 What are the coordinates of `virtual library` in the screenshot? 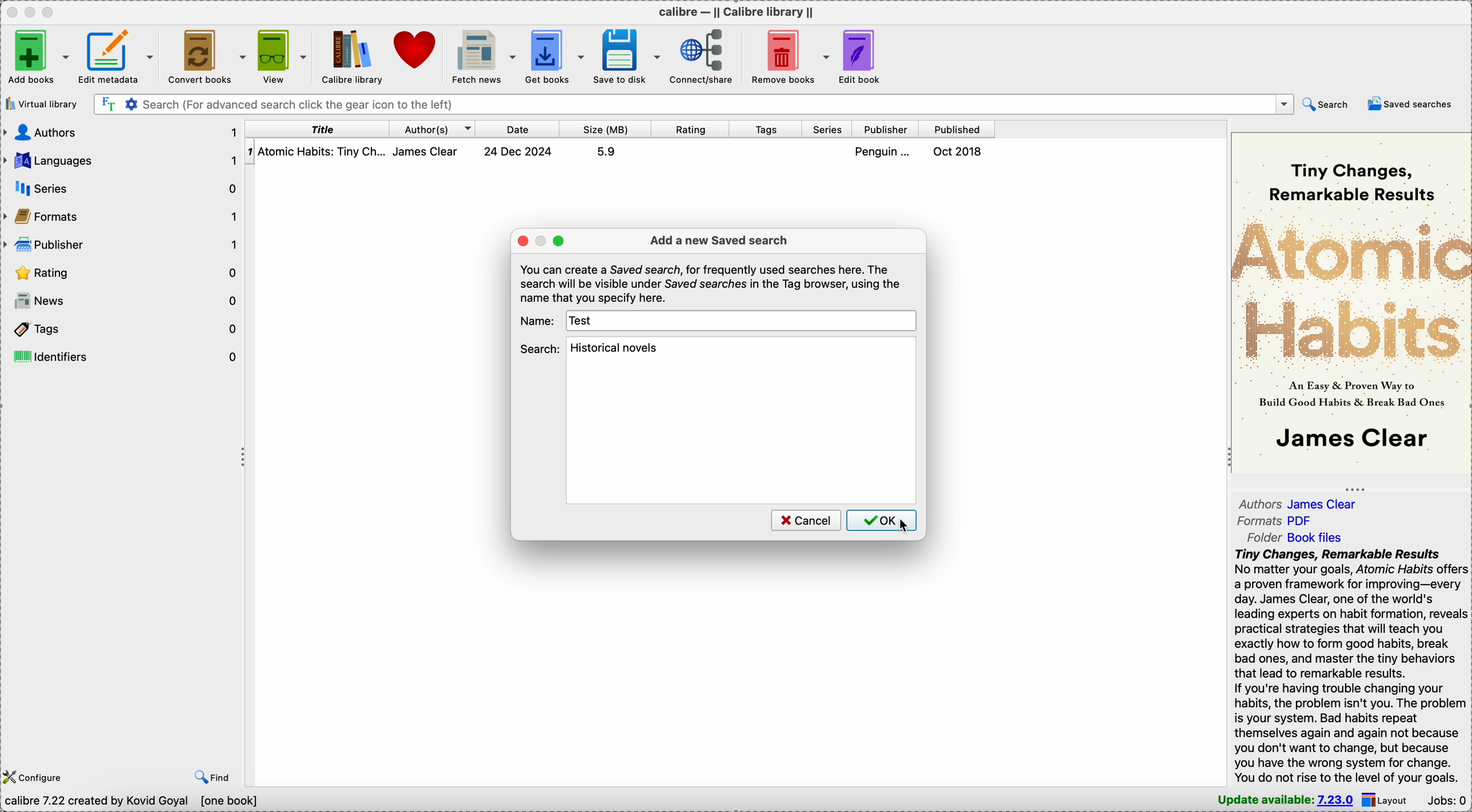 It's located at (41, 104).